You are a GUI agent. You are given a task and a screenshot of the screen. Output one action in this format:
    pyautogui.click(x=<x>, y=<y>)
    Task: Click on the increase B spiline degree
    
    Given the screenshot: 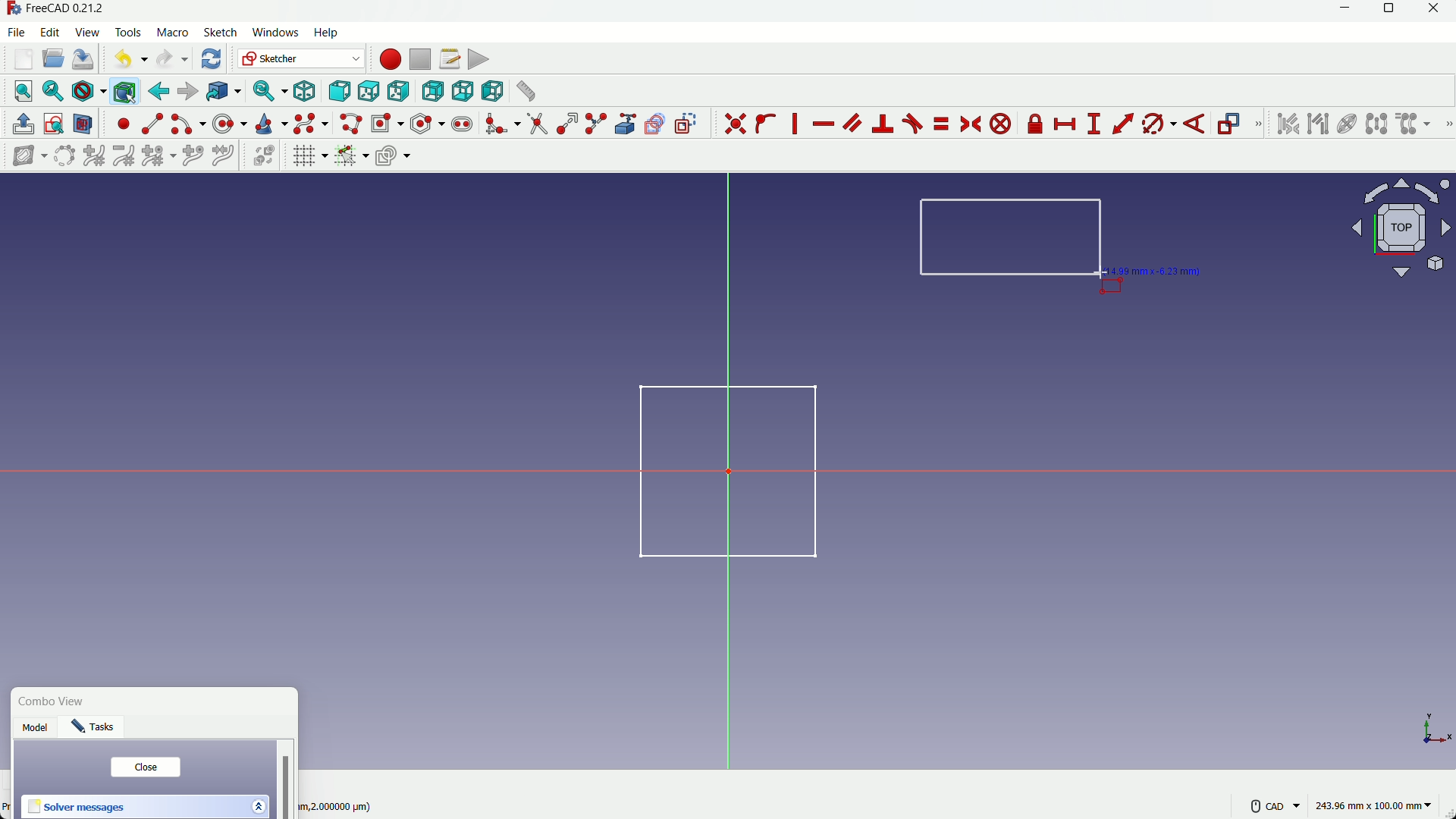 What is the action you would take?
    pyautogui.click(x=96, y=156)
    